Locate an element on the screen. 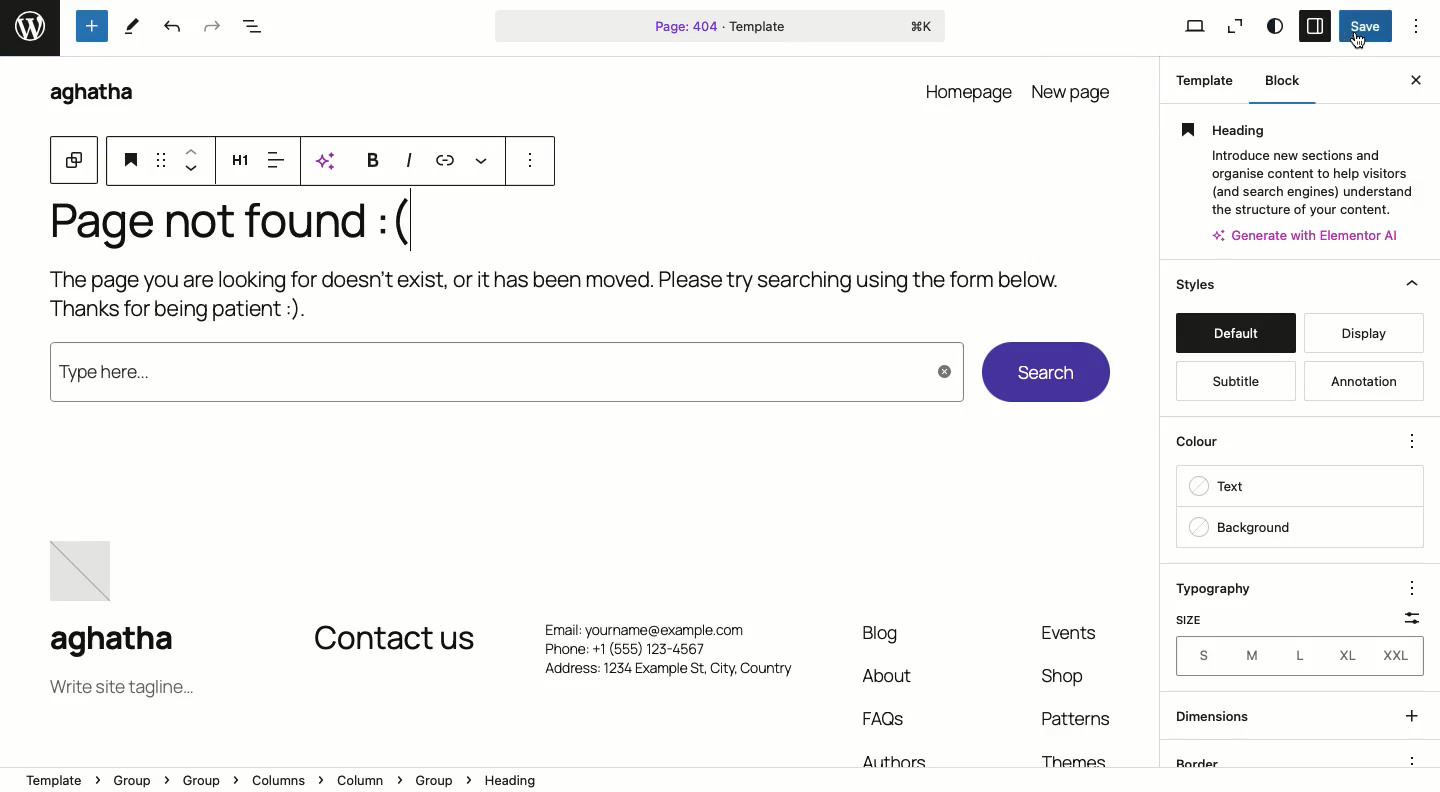  event is located at coordinates (1075, 632).